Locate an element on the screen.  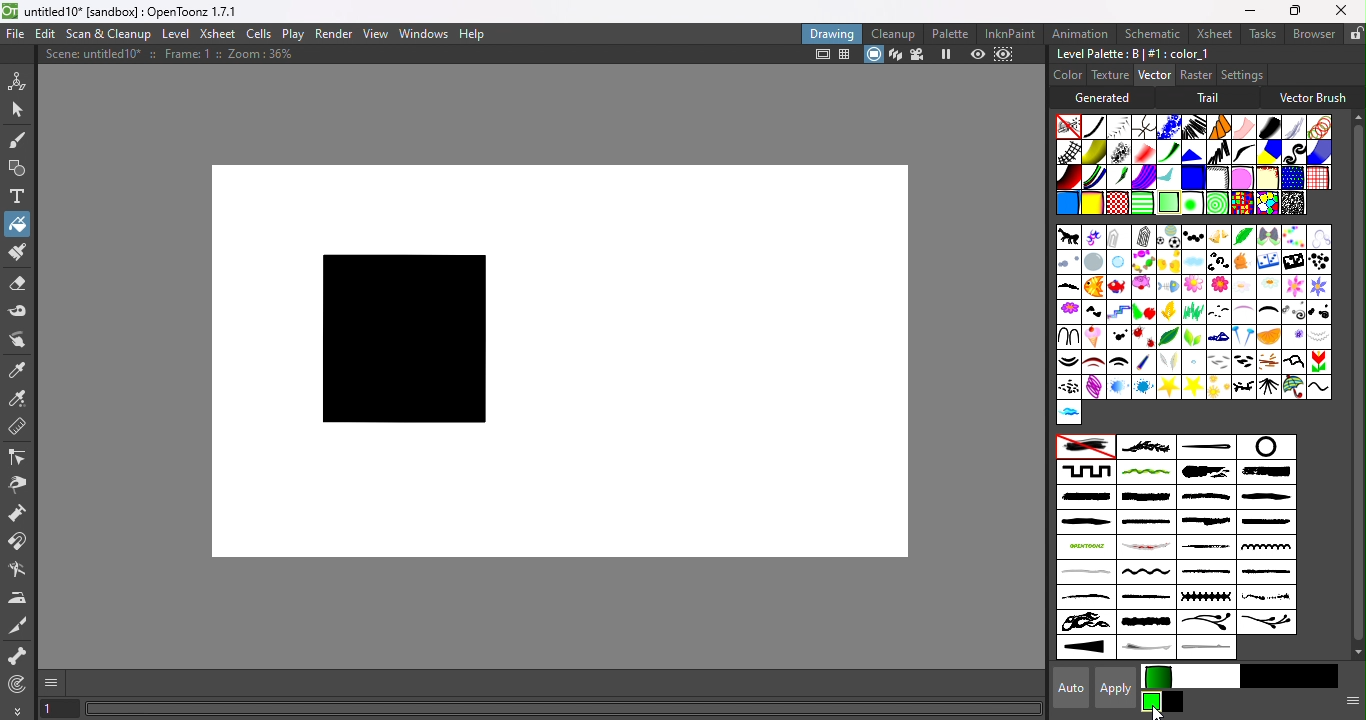
frame is located at coordinates (1118, 312).